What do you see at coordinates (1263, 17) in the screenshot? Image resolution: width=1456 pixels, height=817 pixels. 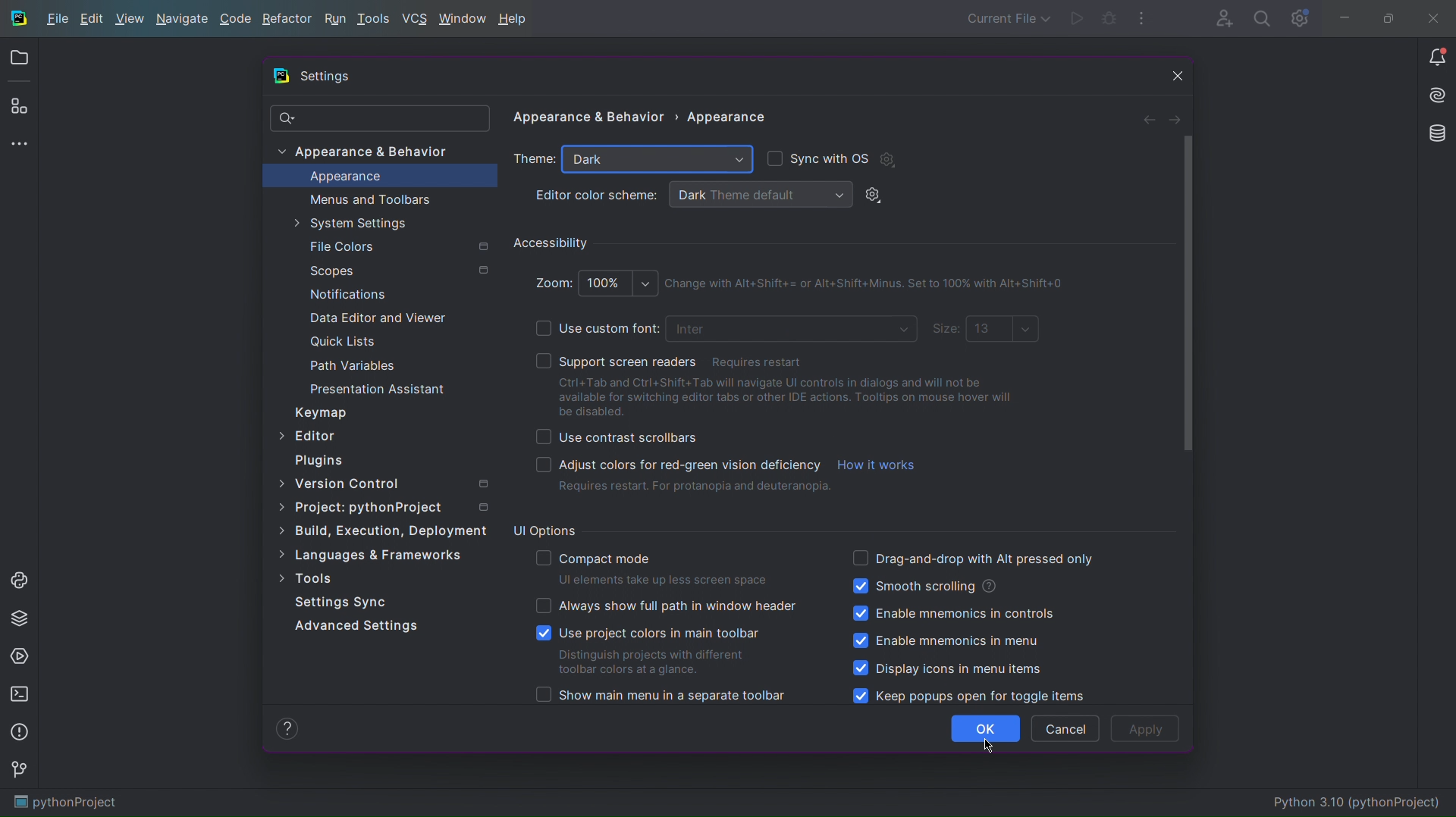 I see `Search` at bounding box center [1263, 17].